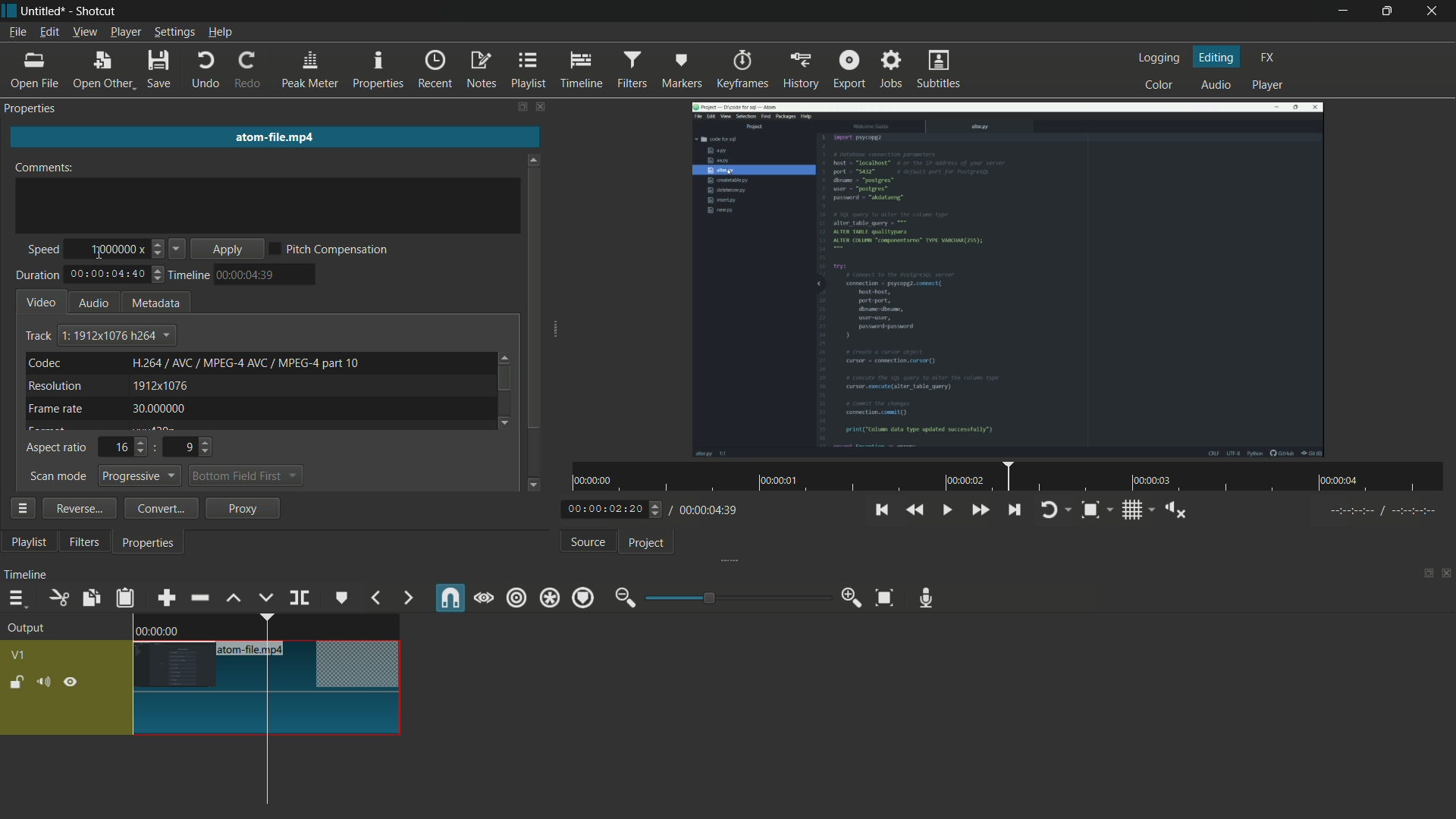  I want to click on peak meter, so click(309, 71).